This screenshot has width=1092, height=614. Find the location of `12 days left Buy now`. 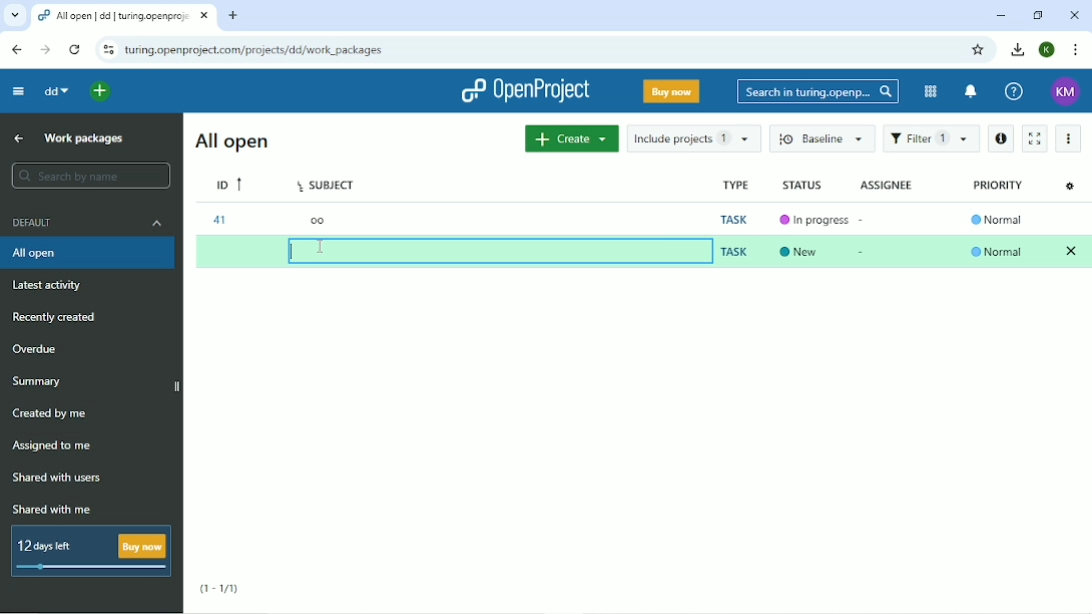

12 days left Buy now is located at coordinates (92, 551).